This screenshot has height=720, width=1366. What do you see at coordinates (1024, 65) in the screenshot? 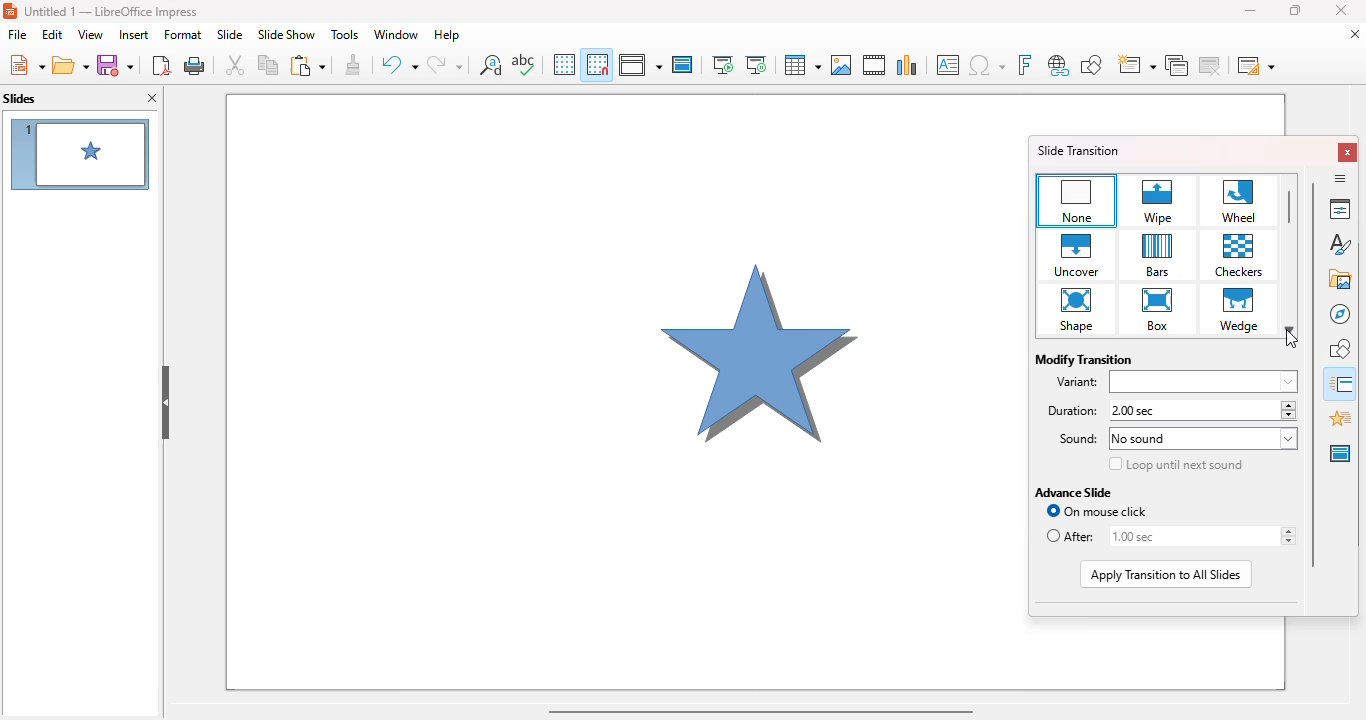
I see `insert fontwork text` at bounding box center [1024, 65].